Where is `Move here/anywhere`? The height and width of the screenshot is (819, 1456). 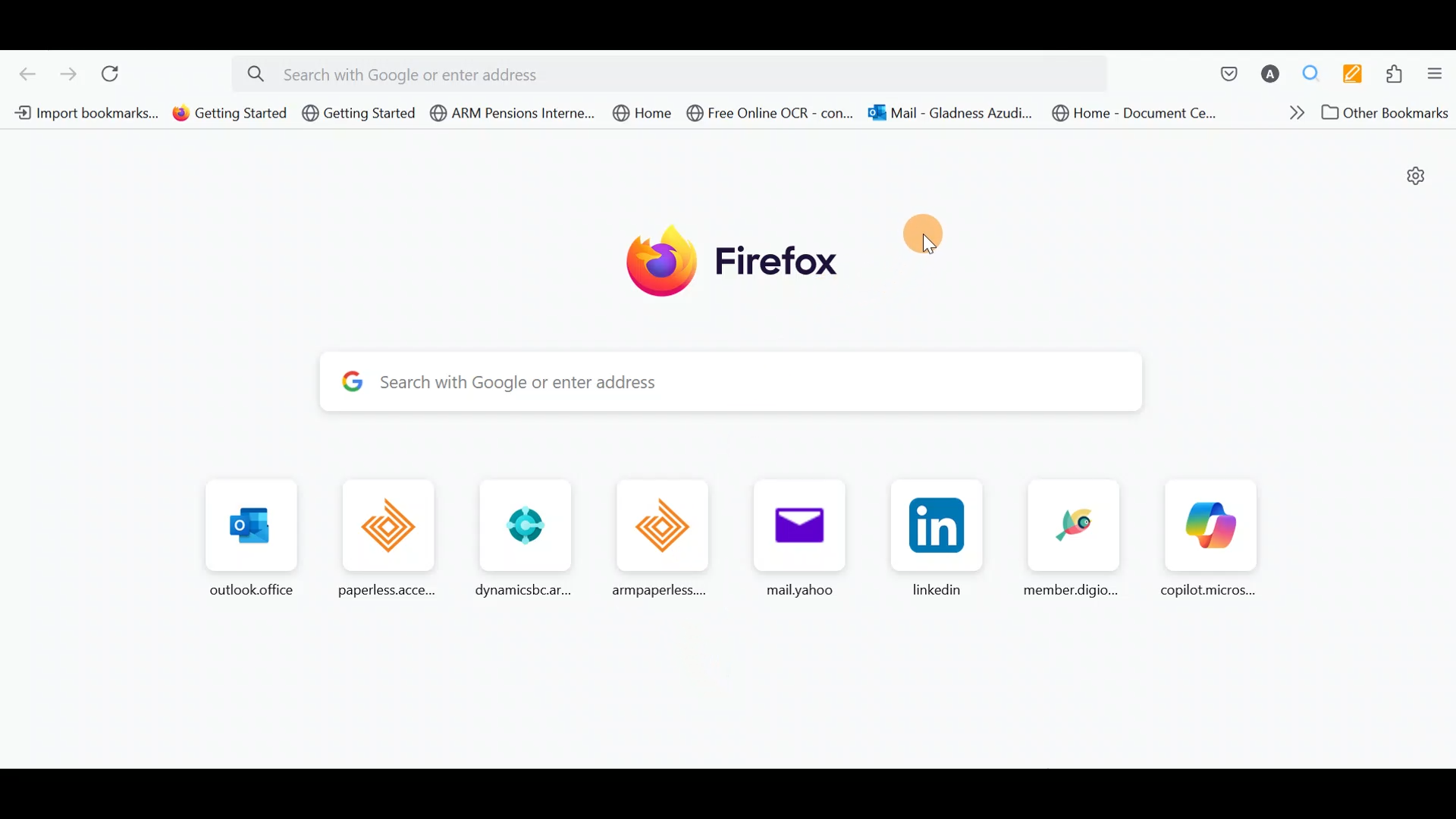
Move here/anywhere is located at coordinates (921, 234).